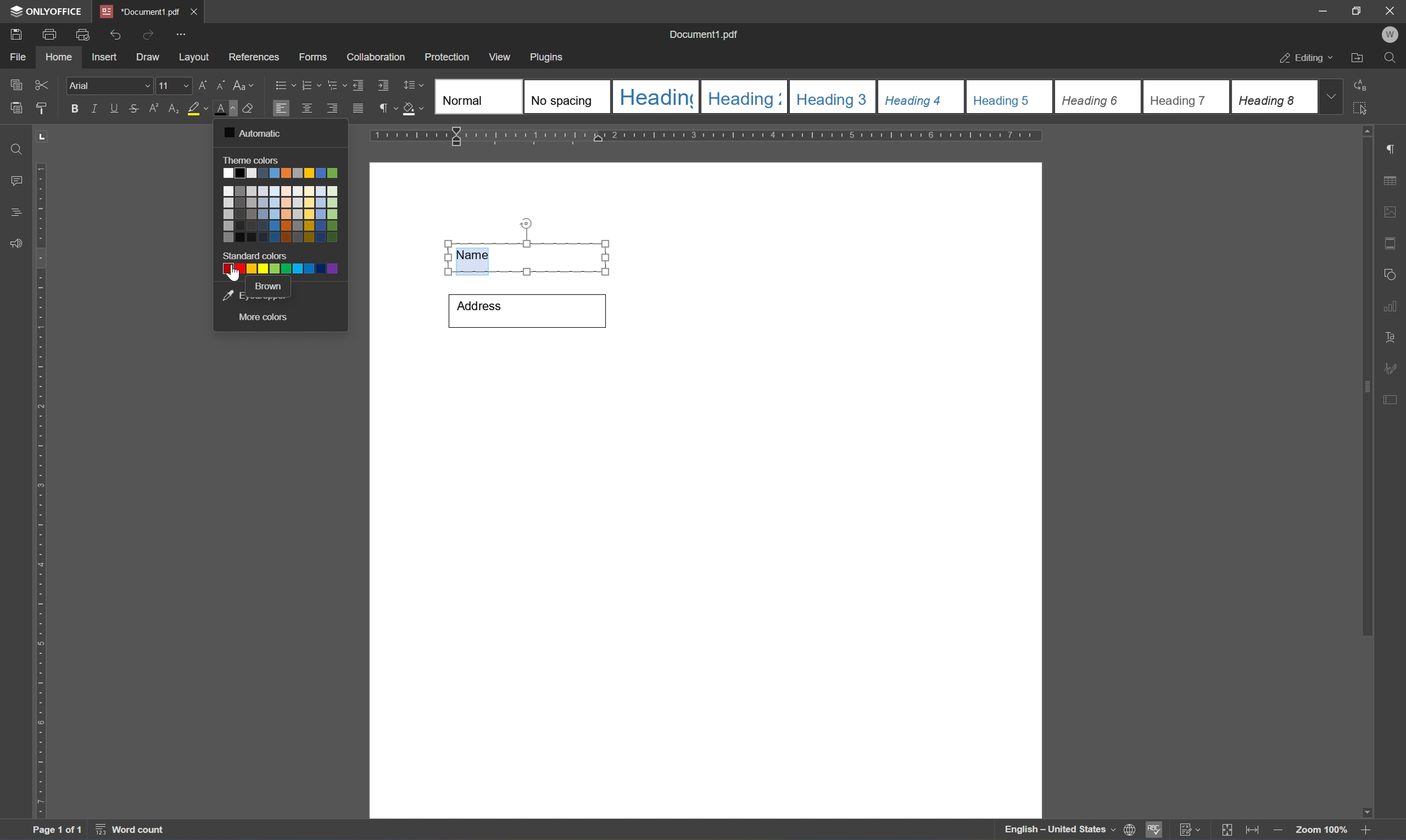  What do you see at coordinates (222, 85) in the screenshot?
I see `decrement font size` at bounding box center [222, 85].